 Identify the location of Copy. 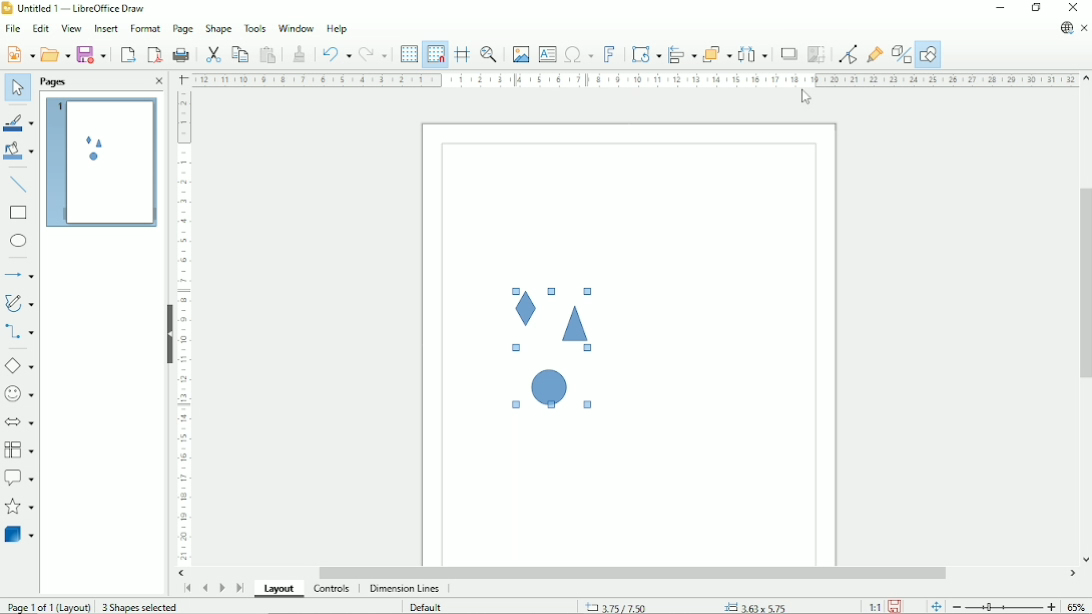
(239, 53).